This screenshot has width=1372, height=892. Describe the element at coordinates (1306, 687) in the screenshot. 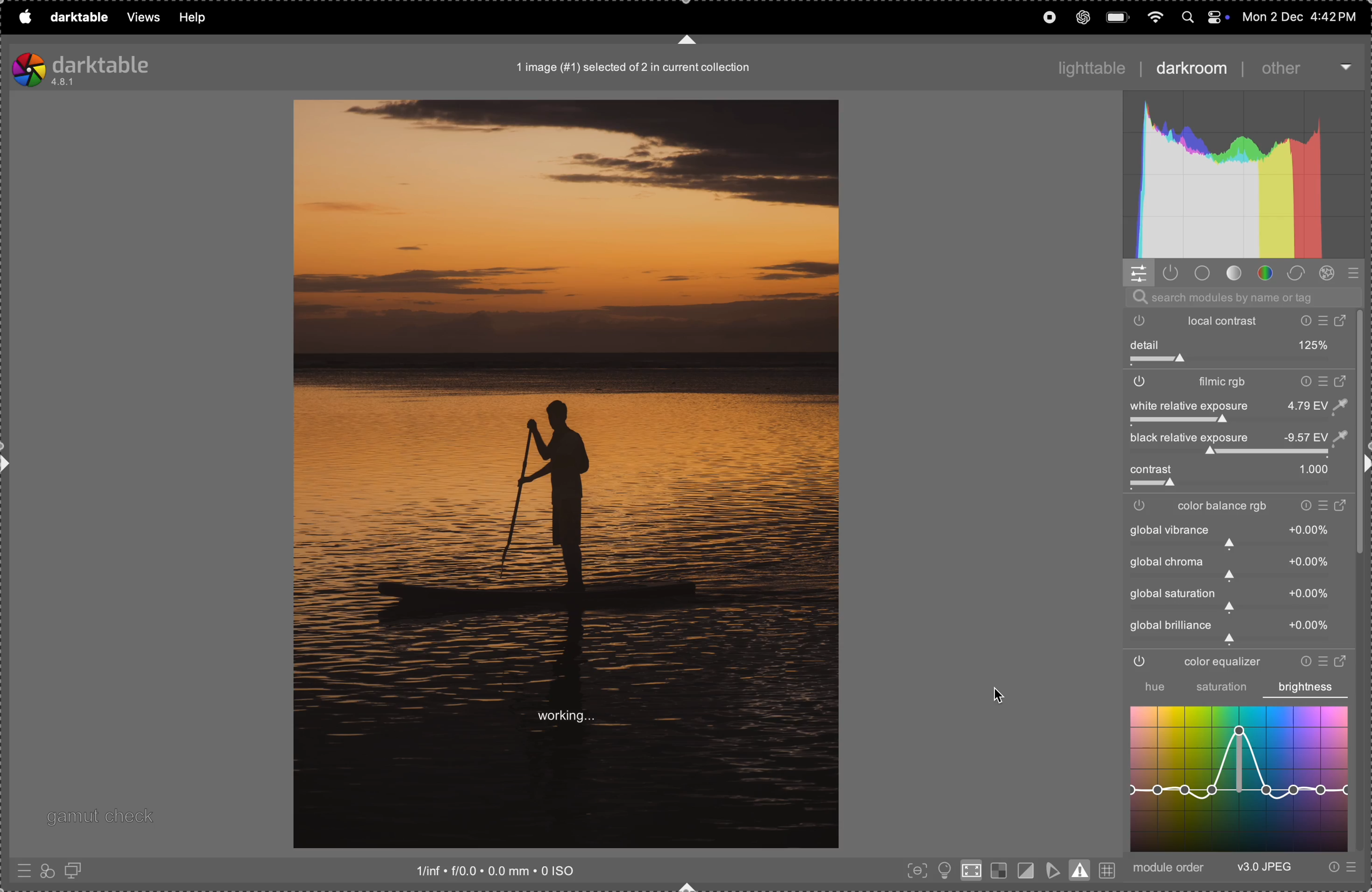

I see `brightness` at that location.